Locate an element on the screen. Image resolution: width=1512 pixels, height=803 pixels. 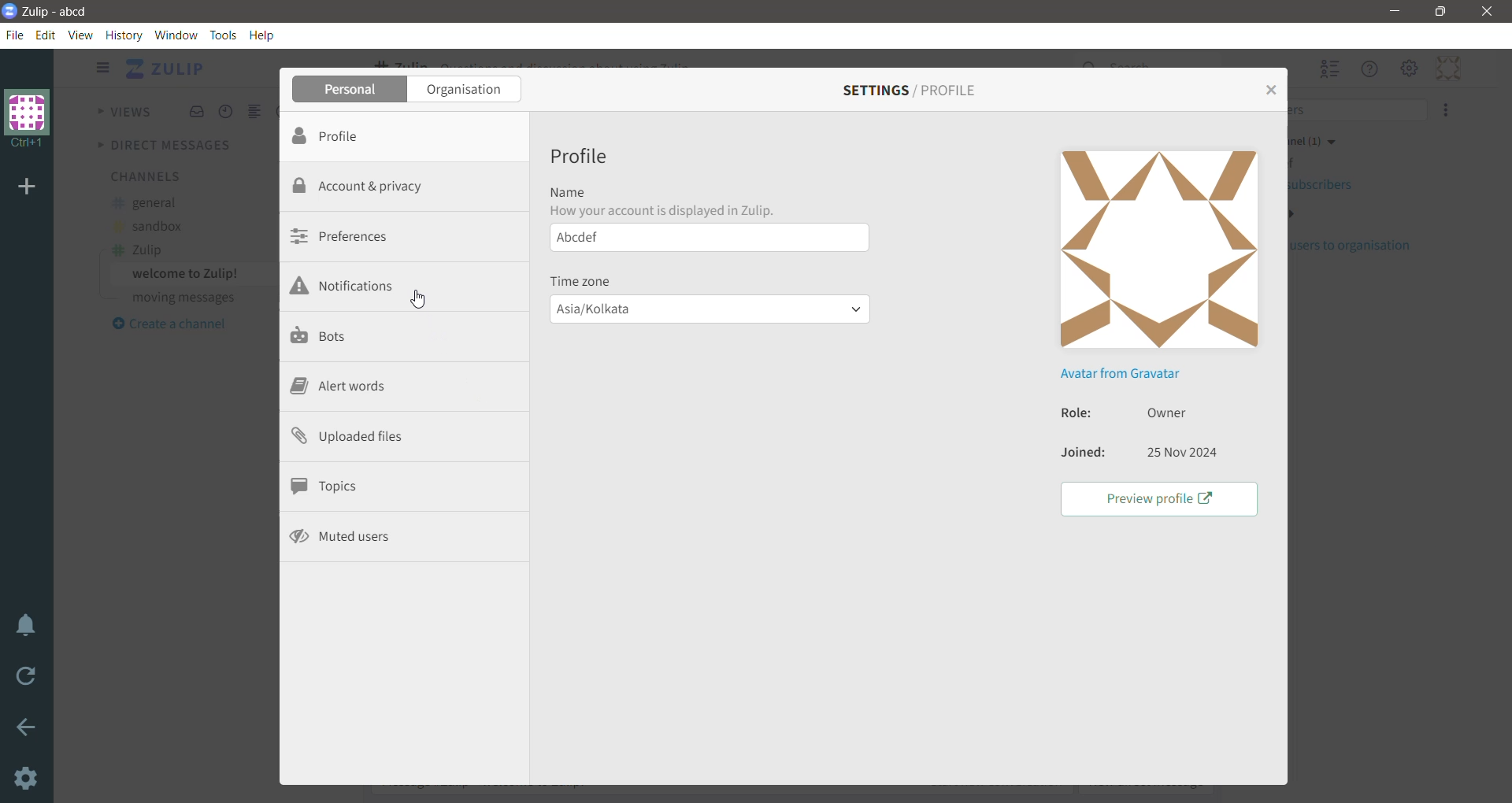
Account and privacy is located at coordinates (368, 185).